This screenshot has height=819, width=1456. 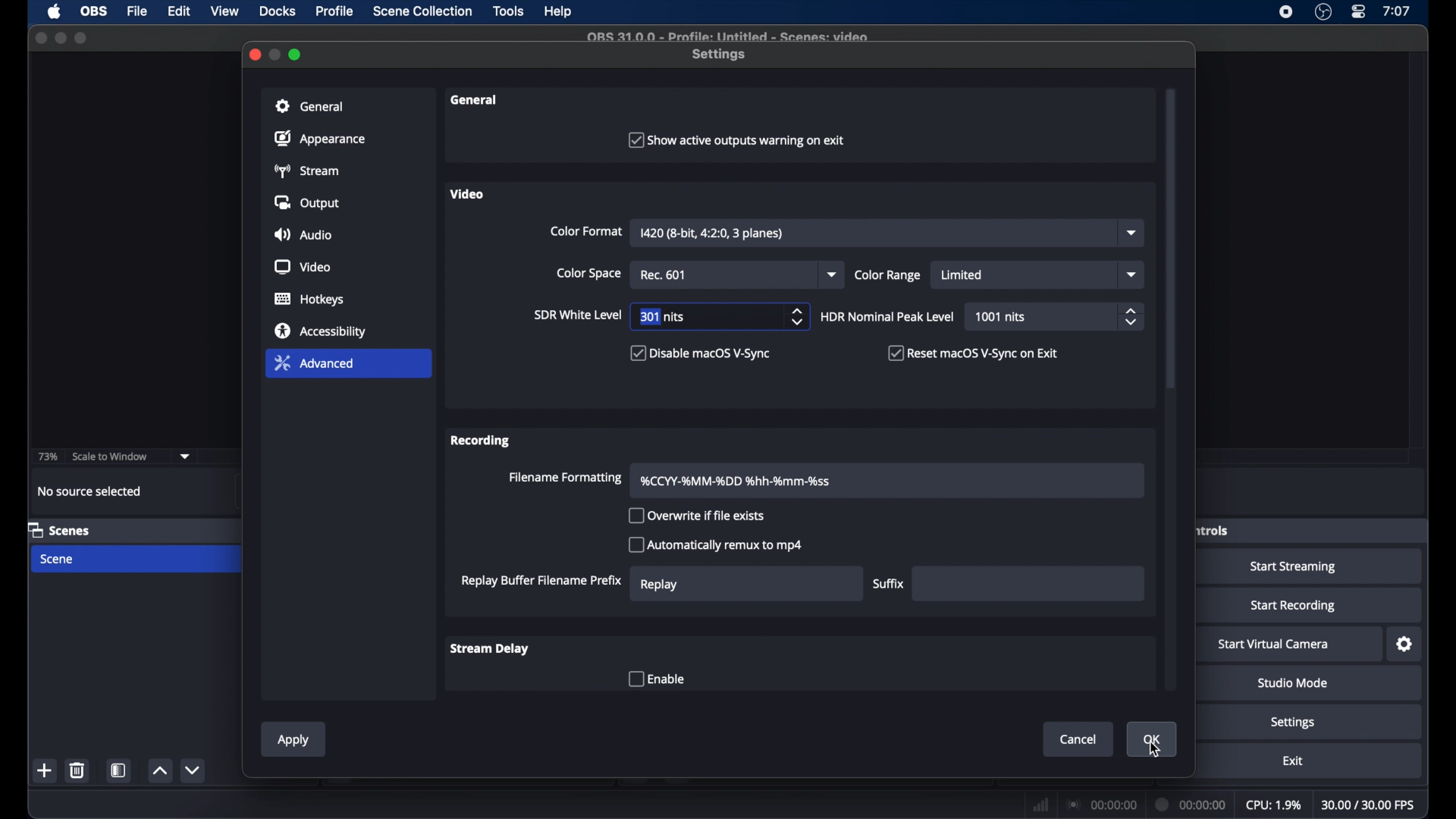 I want to click on checkbox, so click(x=697, y=516).